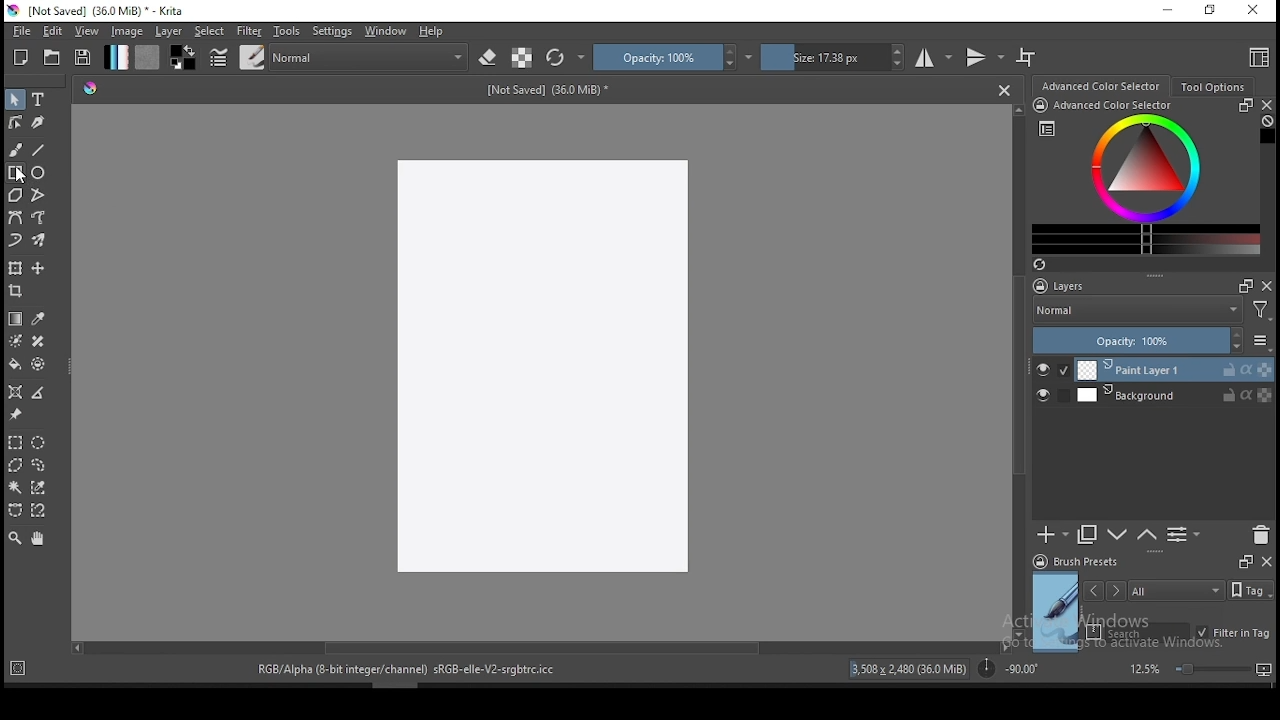 This screenshot has height=720, width=1280. I want to click on dynamic brush tool, so click(15, 241).